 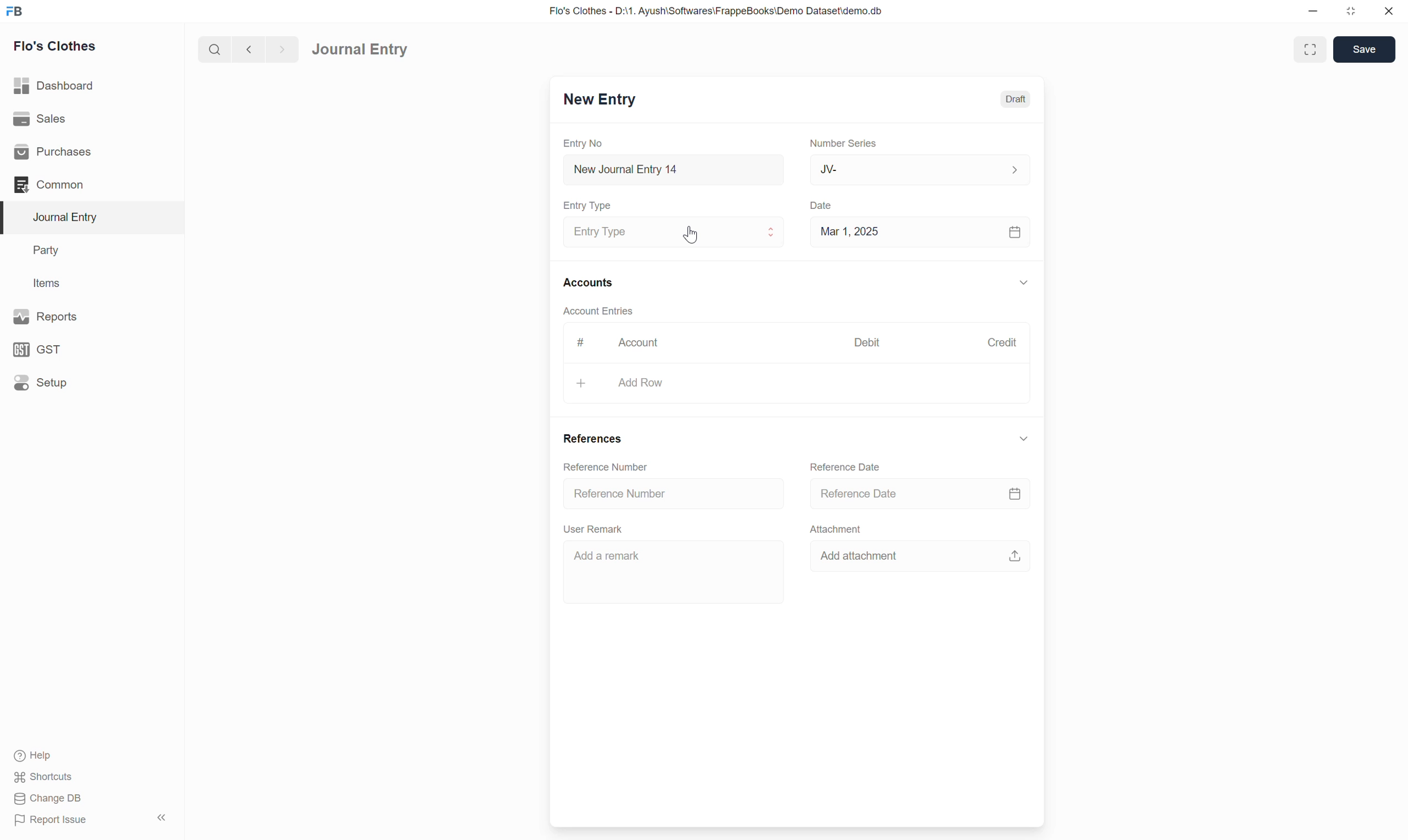 I want to click on Journal Entry, so click(x=674, y=231).